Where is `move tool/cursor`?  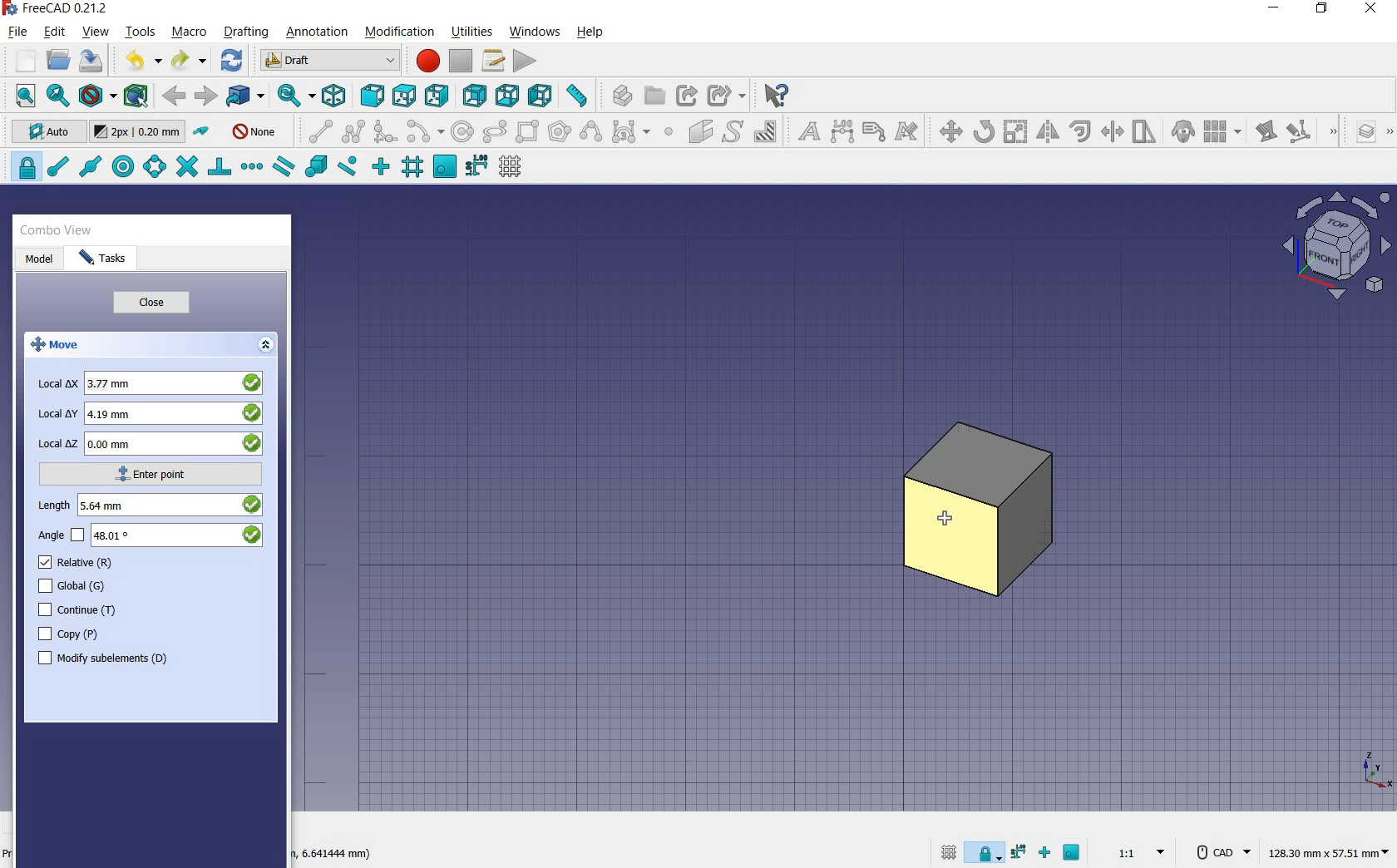 move tool/cursor is located at coordinates (947, 521).